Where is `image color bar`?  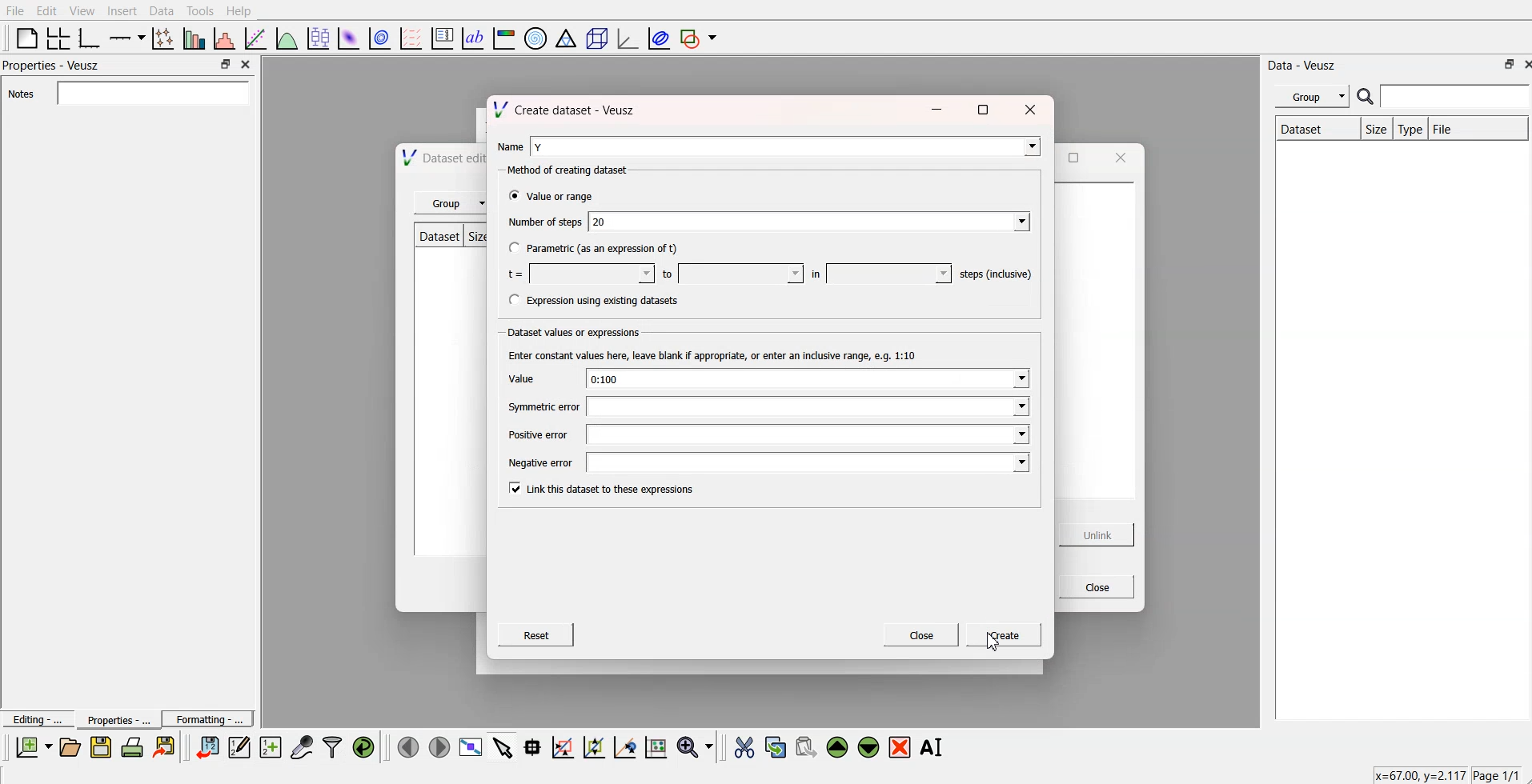
image color bar is located at coordinates (505, 37).